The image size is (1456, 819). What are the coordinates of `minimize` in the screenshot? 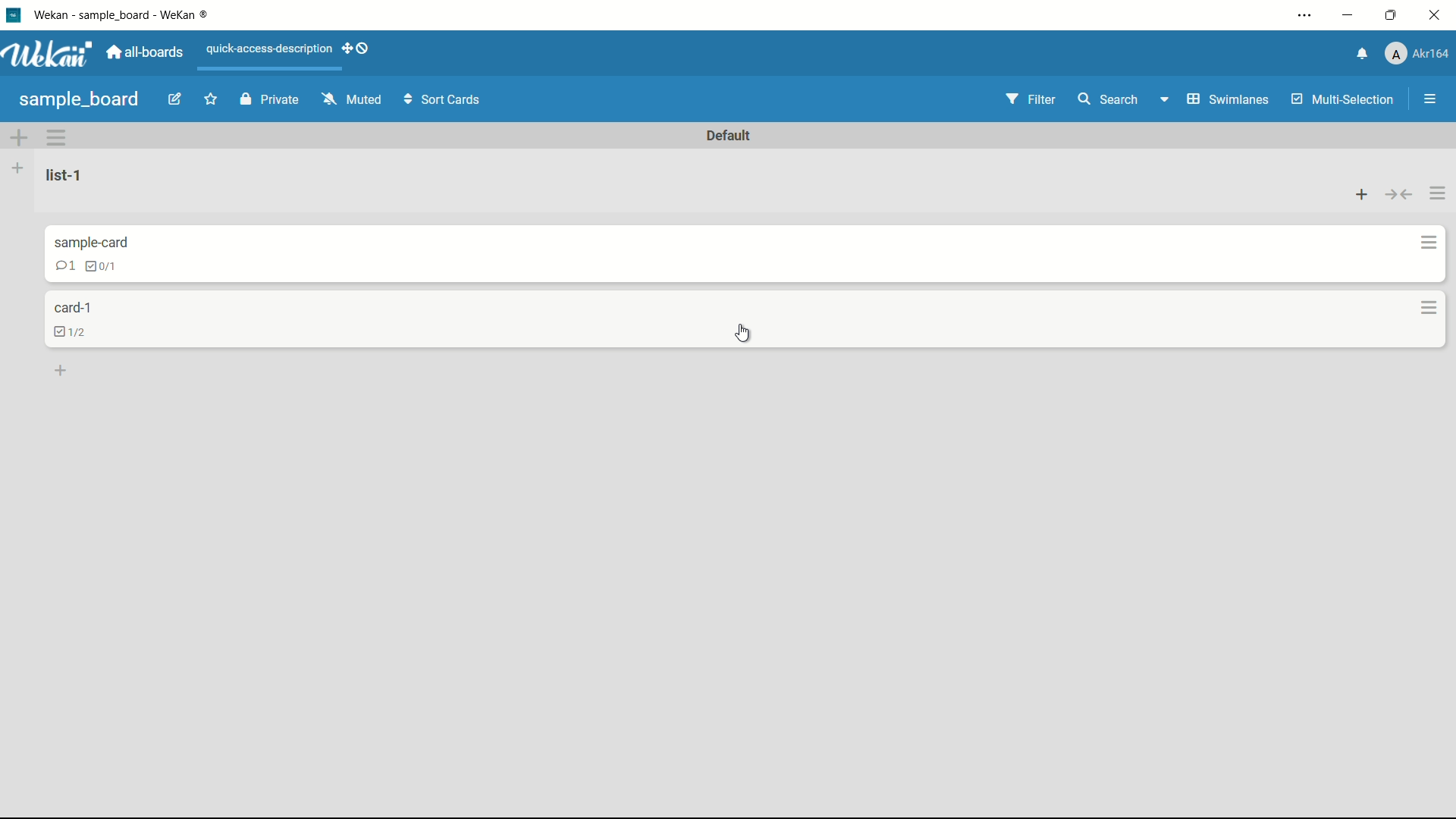 It's located at (1348, 14).